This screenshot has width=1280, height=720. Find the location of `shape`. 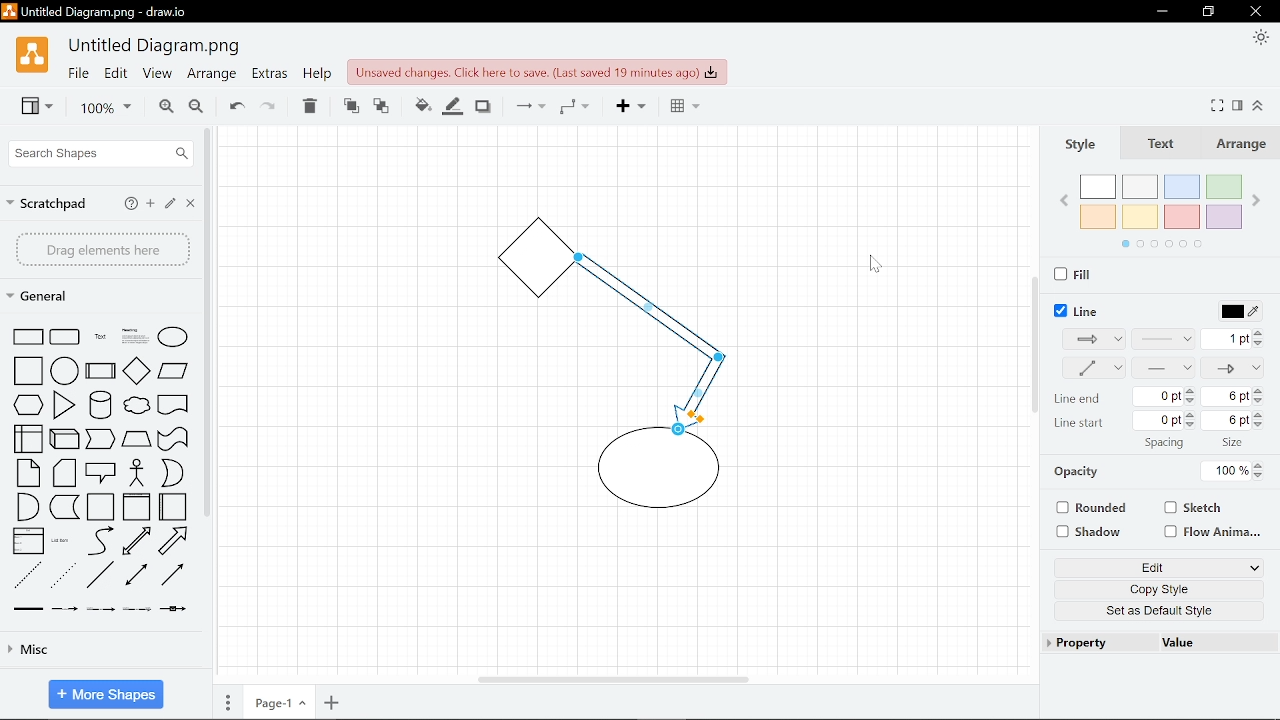

shape is located at coordinates (174, 407).